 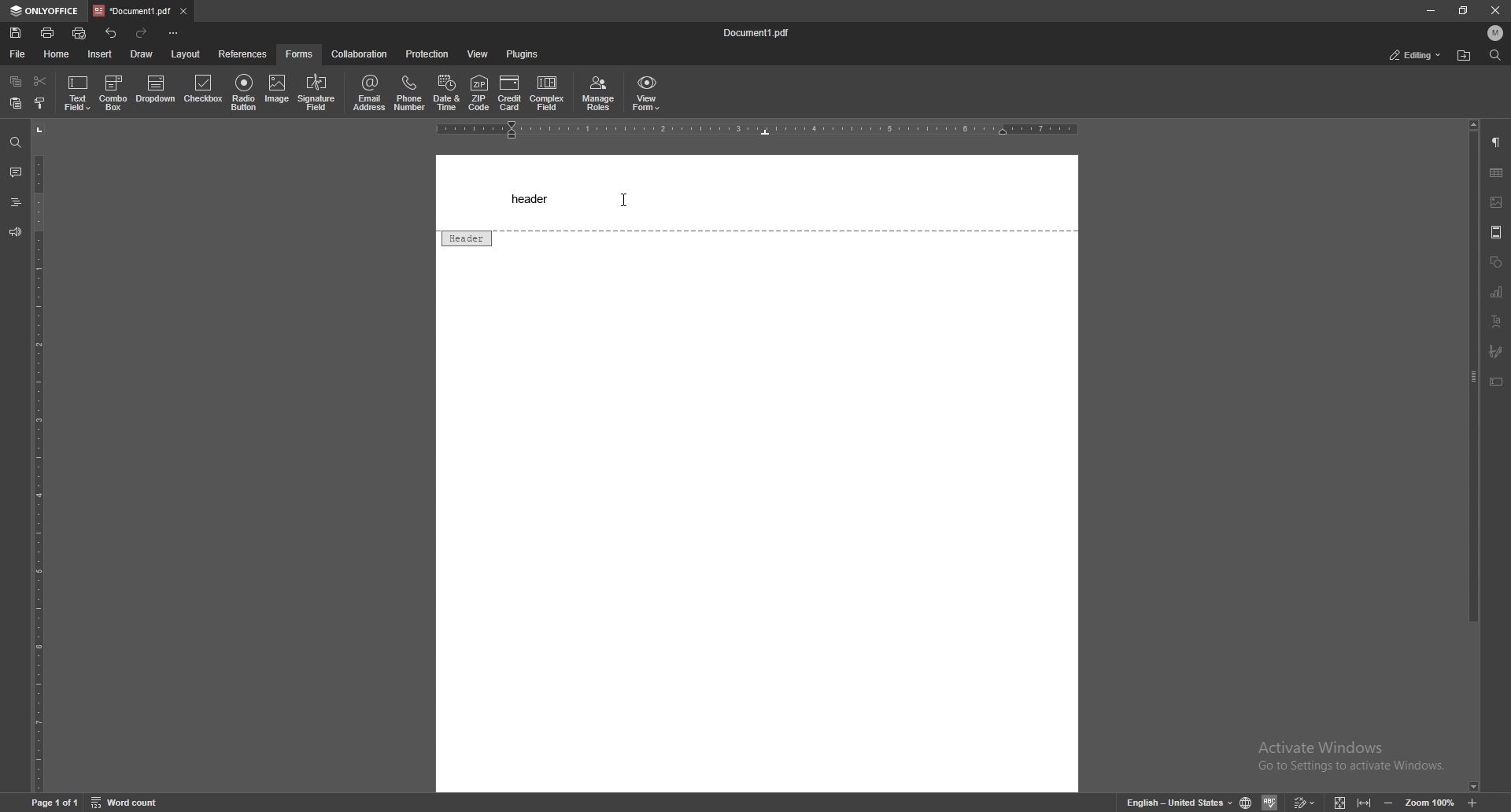 I want to click on cursor, so click(x=622, y=201).